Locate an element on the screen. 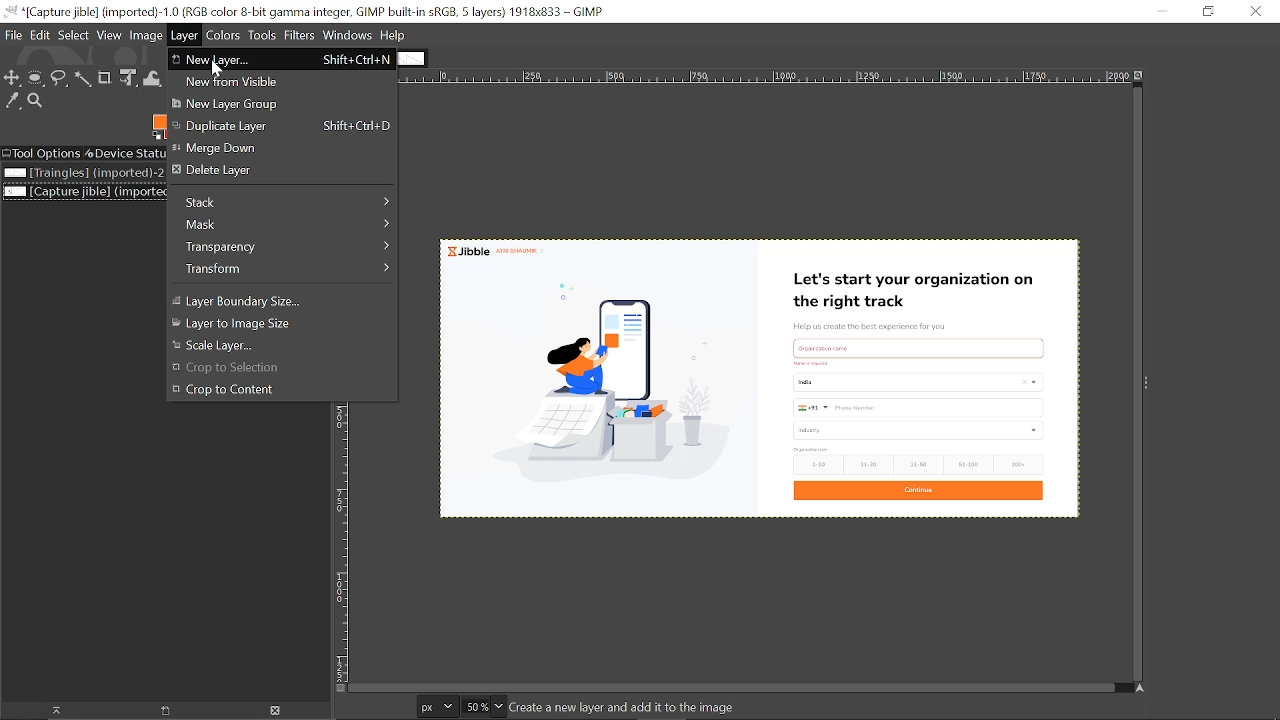  Duplicate layer is located at coordinates (281, 126).